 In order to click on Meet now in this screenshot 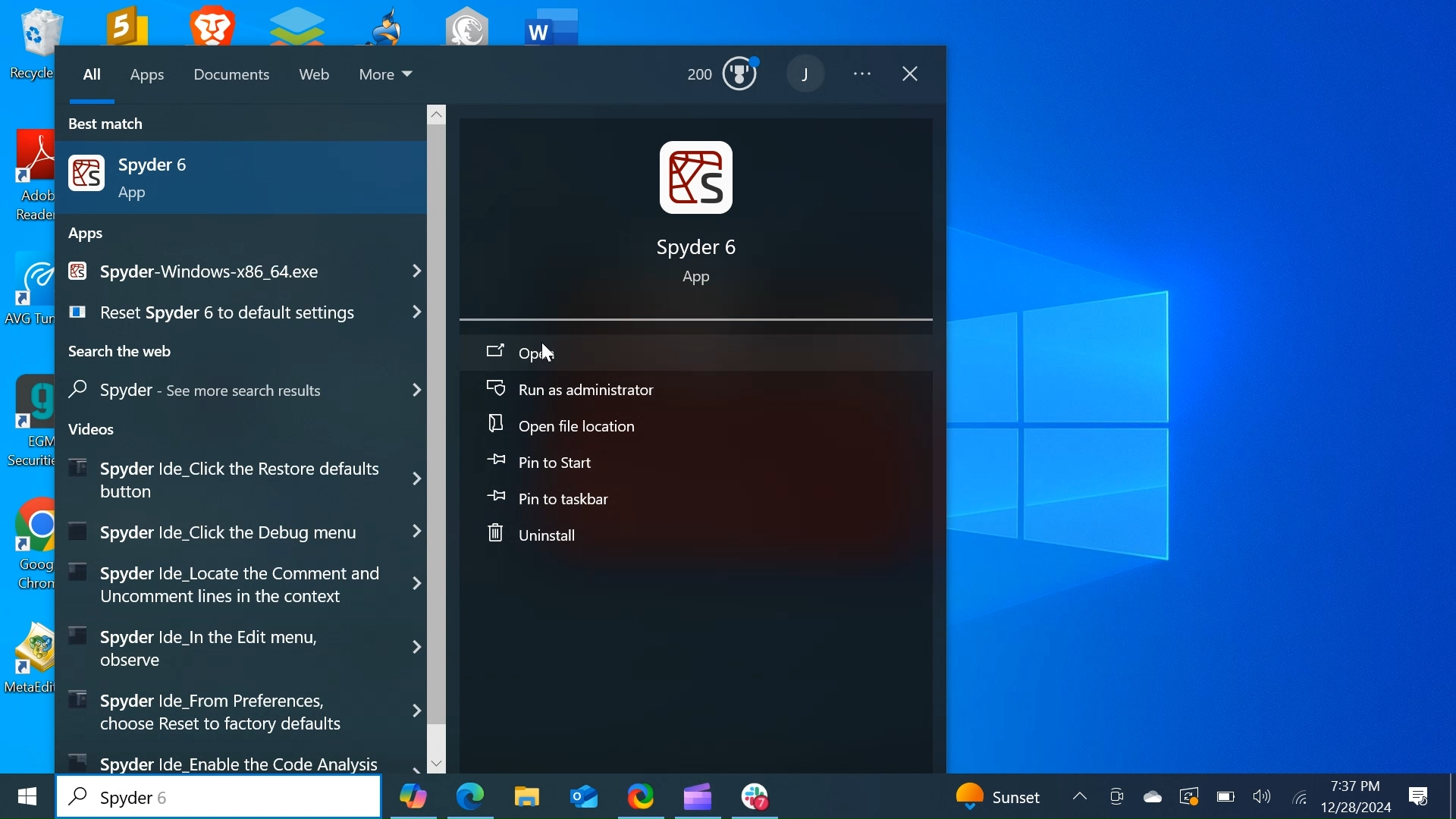, I will do `click(1116, 798)`.